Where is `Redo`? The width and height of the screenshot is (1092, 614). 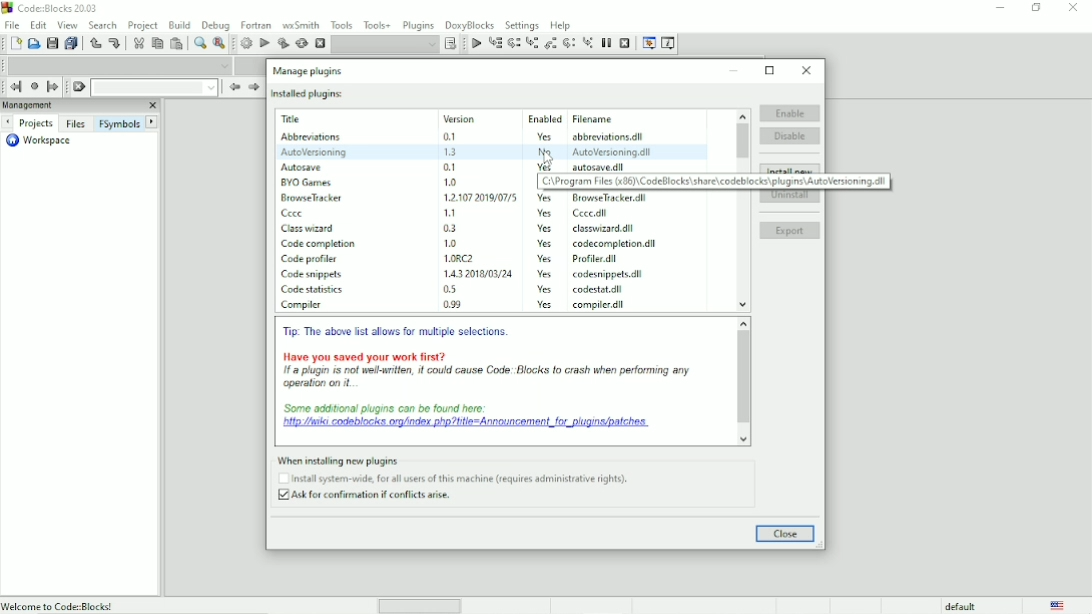 Redo is located at coordinates (115, 44).